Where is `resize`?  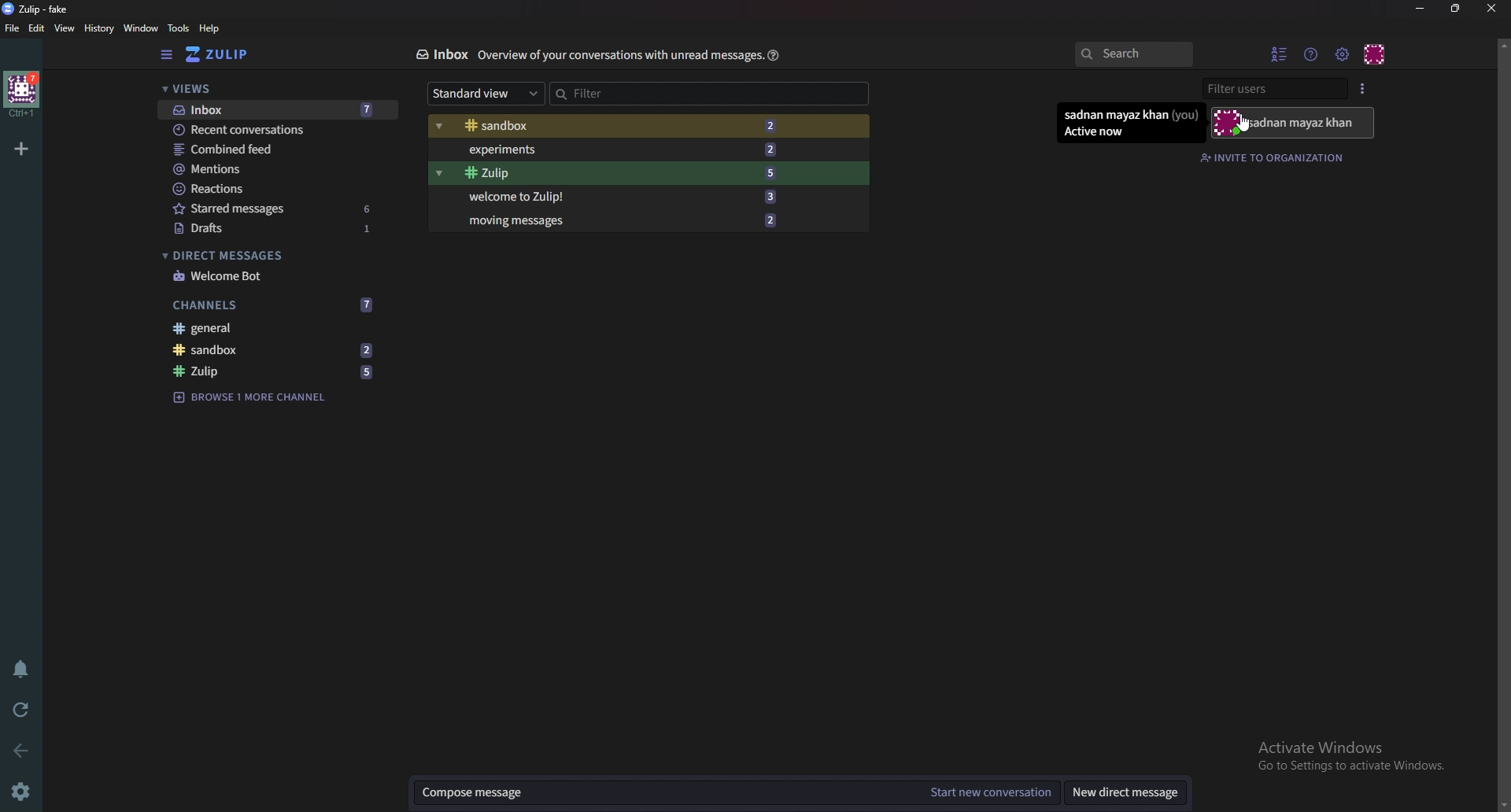
resize is located at coordinates (1457, 9).